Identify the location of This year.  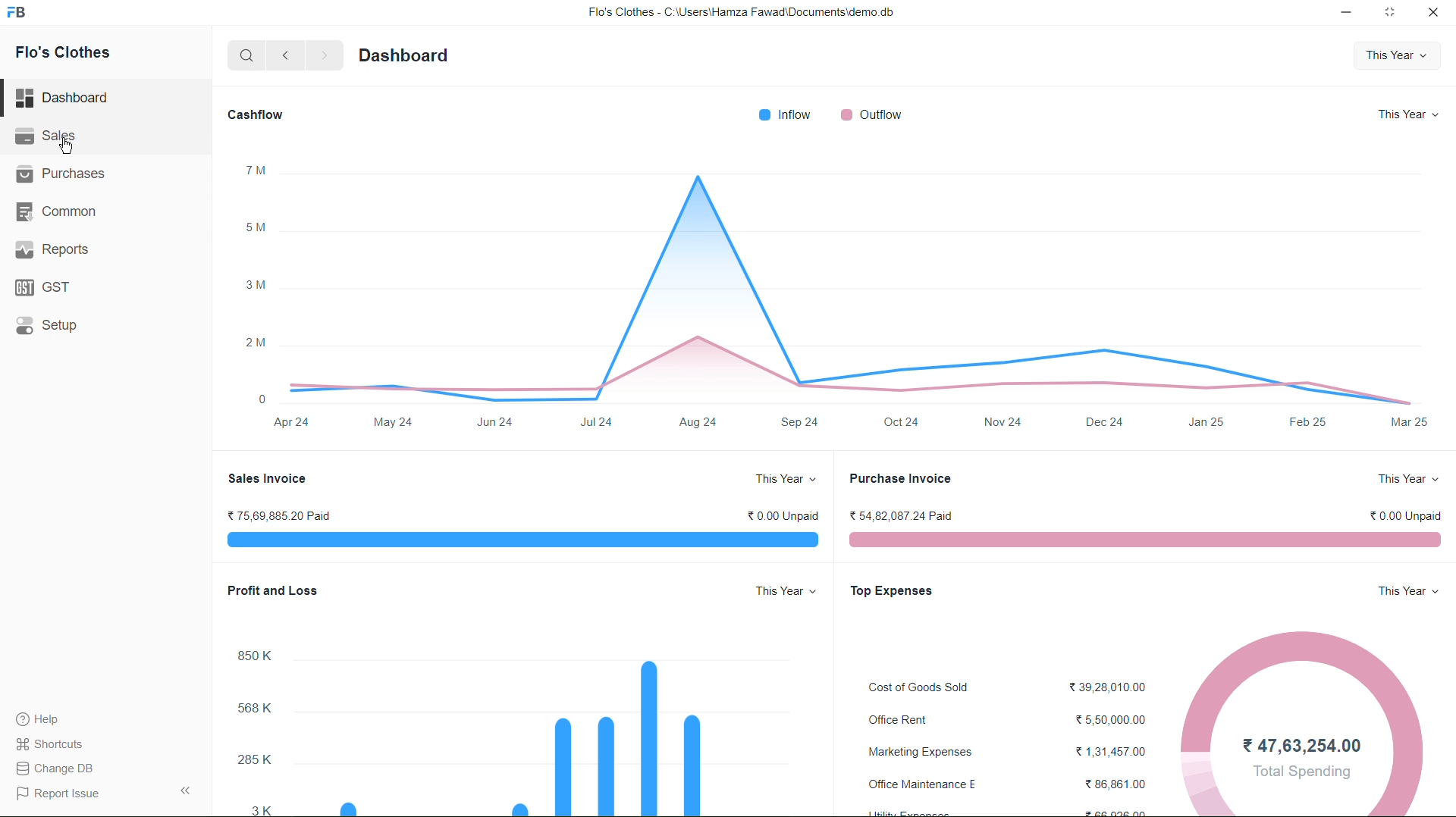
(783, 593).